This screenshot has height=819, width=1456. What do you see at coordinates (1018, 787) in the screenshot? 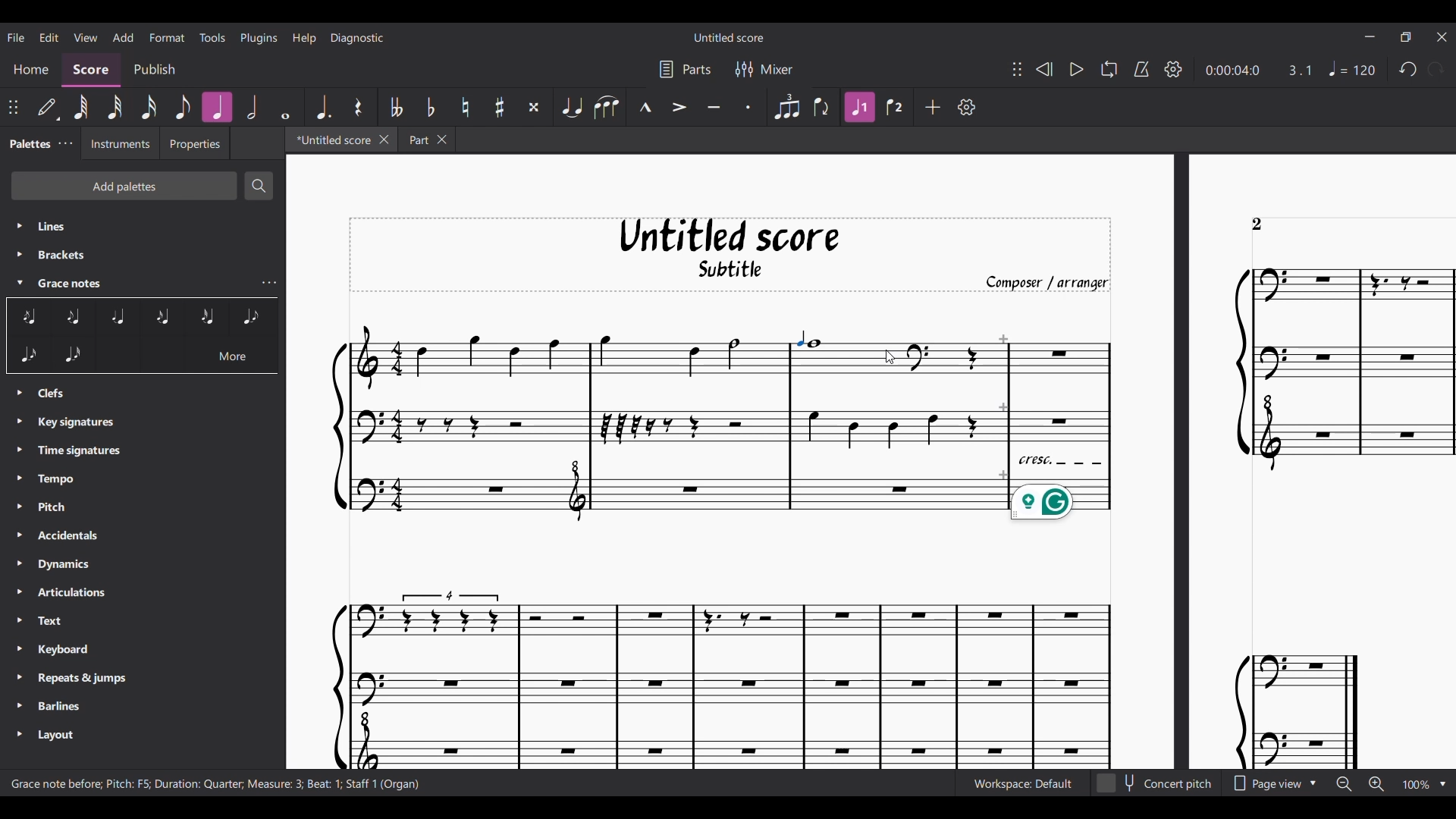
I see `current workspace setting` at bounding box center [1018, 787].